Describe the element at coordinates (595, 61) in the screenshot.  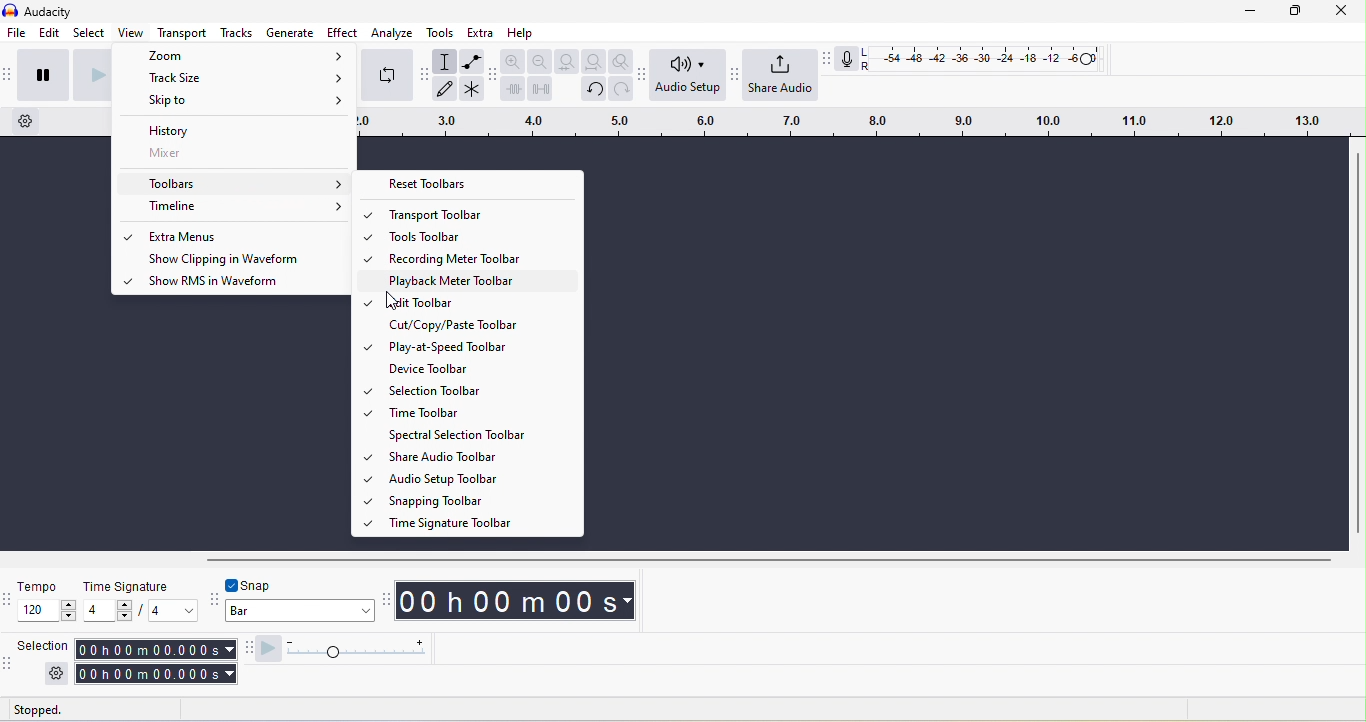
I see `fit project to width` at that location.